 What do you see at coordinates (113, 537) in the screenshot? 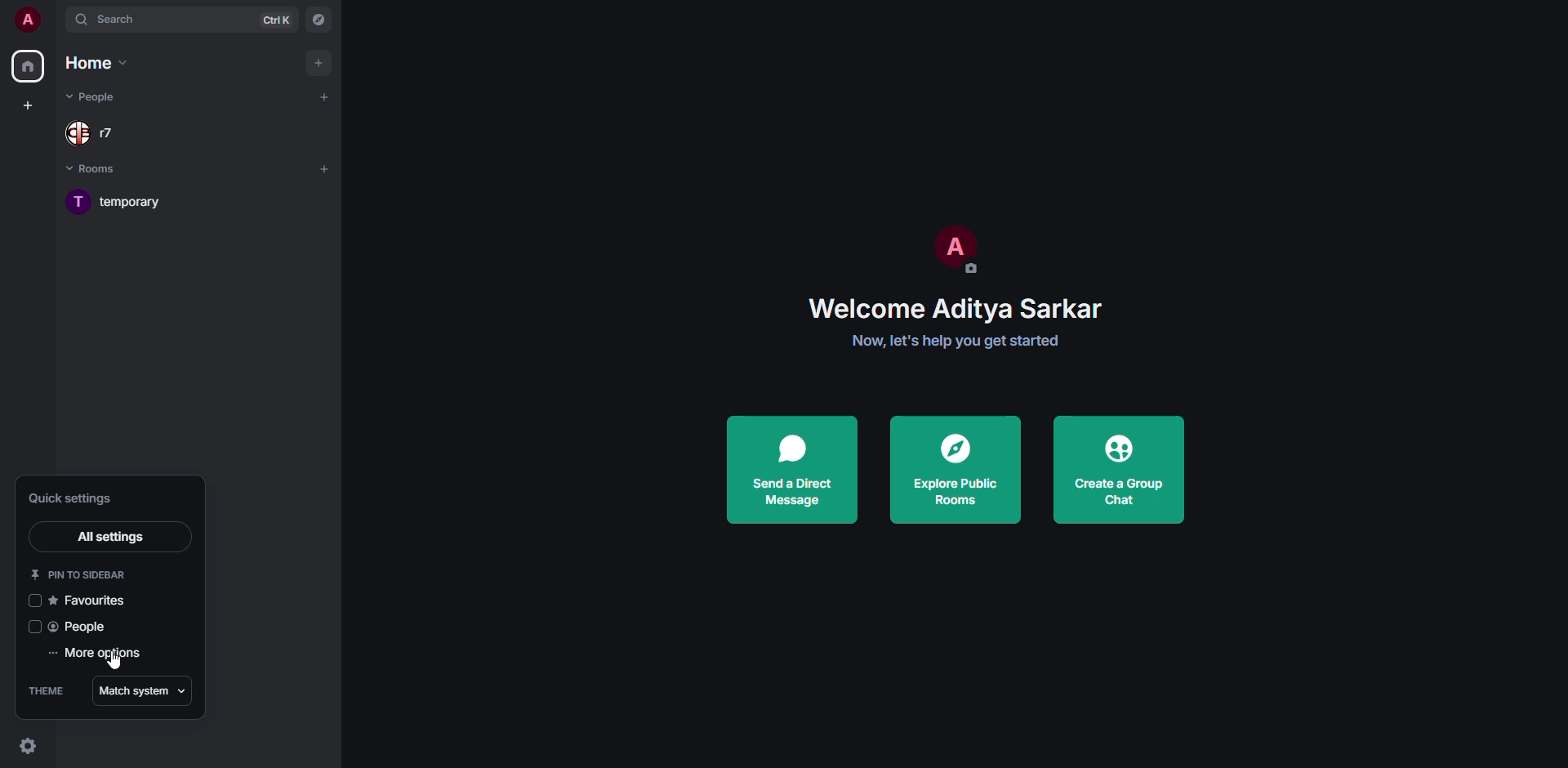
I see `all settings` at bounding box center [113, 537].